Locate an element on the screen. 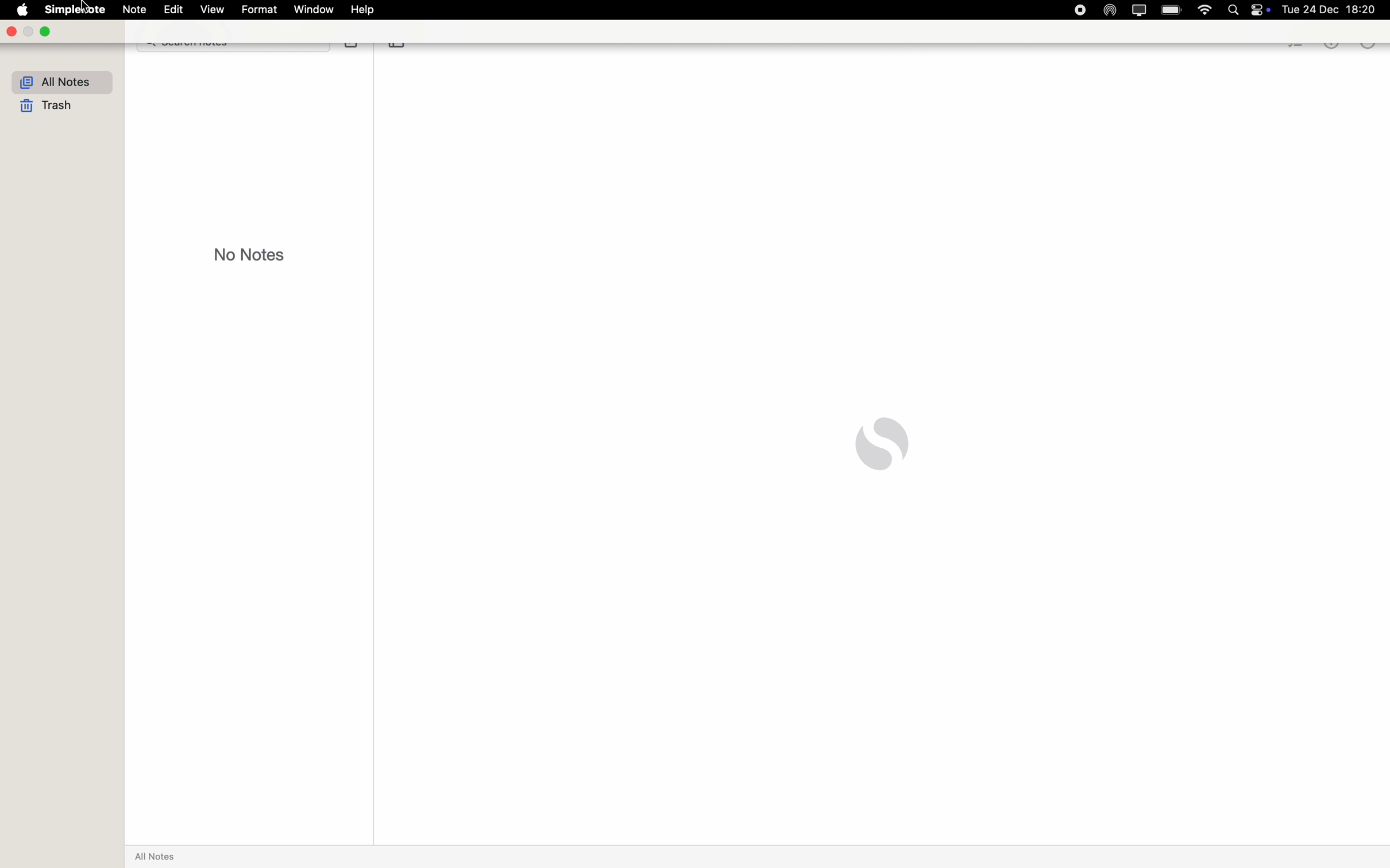 This screenshot has width=1390, height=868. controls is located at coordinates (1265, 10).